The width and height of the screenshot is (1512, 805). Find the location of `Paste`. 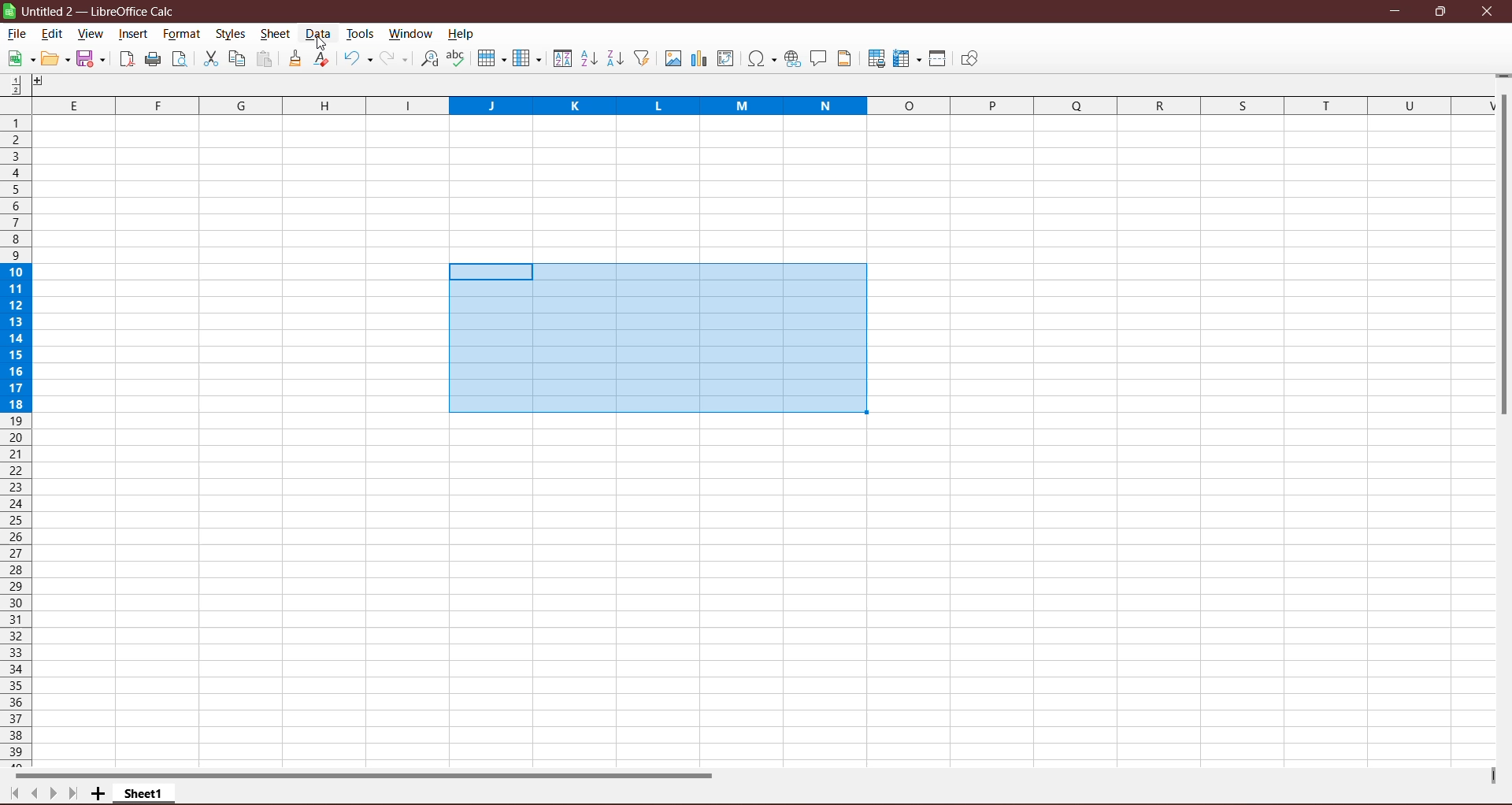

Paste is located at coordinates (265, 60).